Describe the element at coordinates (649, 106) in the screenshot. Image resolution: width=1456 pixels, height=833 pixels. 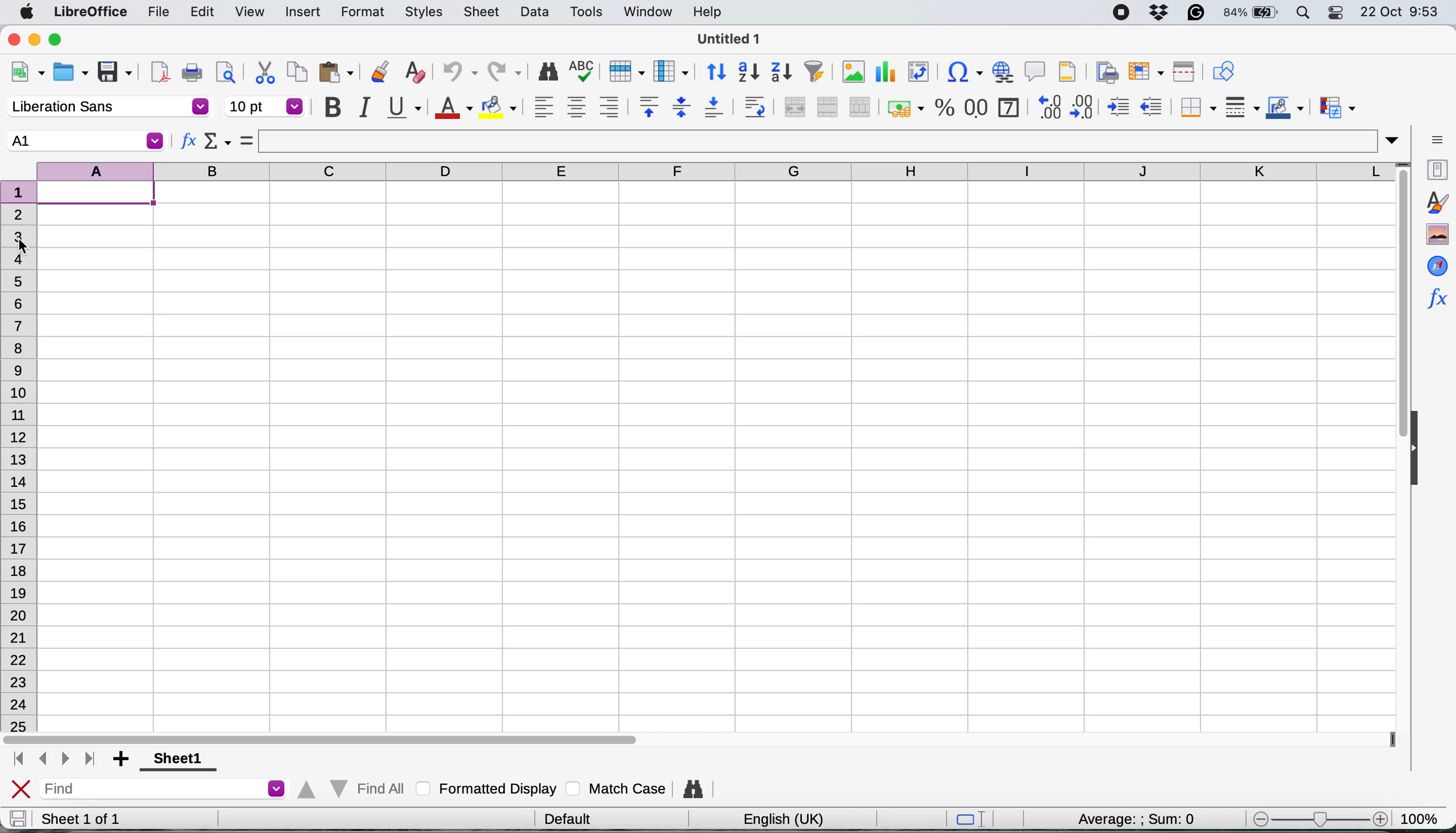
I see `align top` at that location.